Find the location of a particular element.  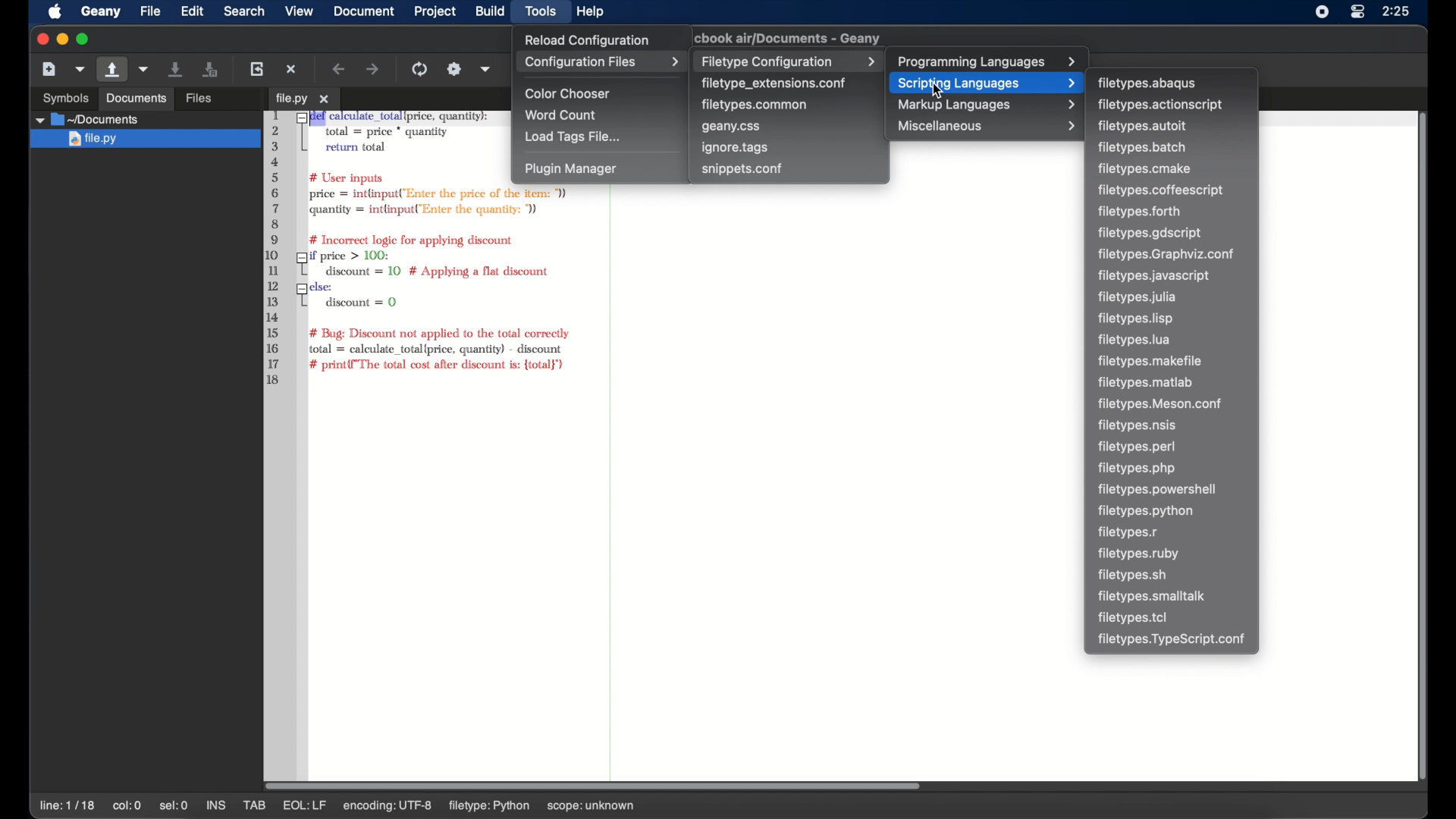

filetypes is located at coordinates (1168, 256).